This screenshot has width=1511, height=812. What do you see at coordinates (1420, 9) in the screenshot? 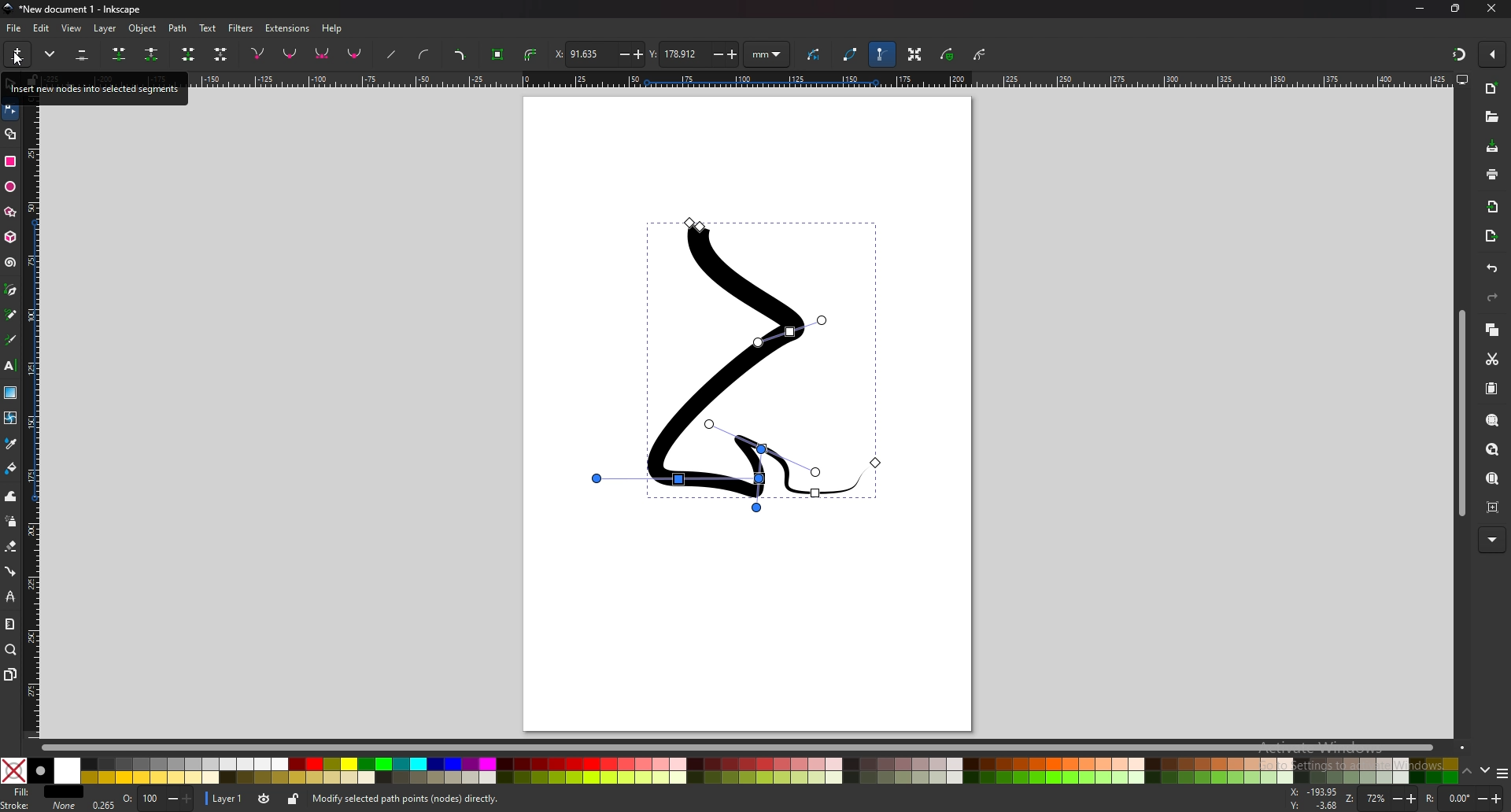
I see `minimize` at bounding box center [1420, 9].